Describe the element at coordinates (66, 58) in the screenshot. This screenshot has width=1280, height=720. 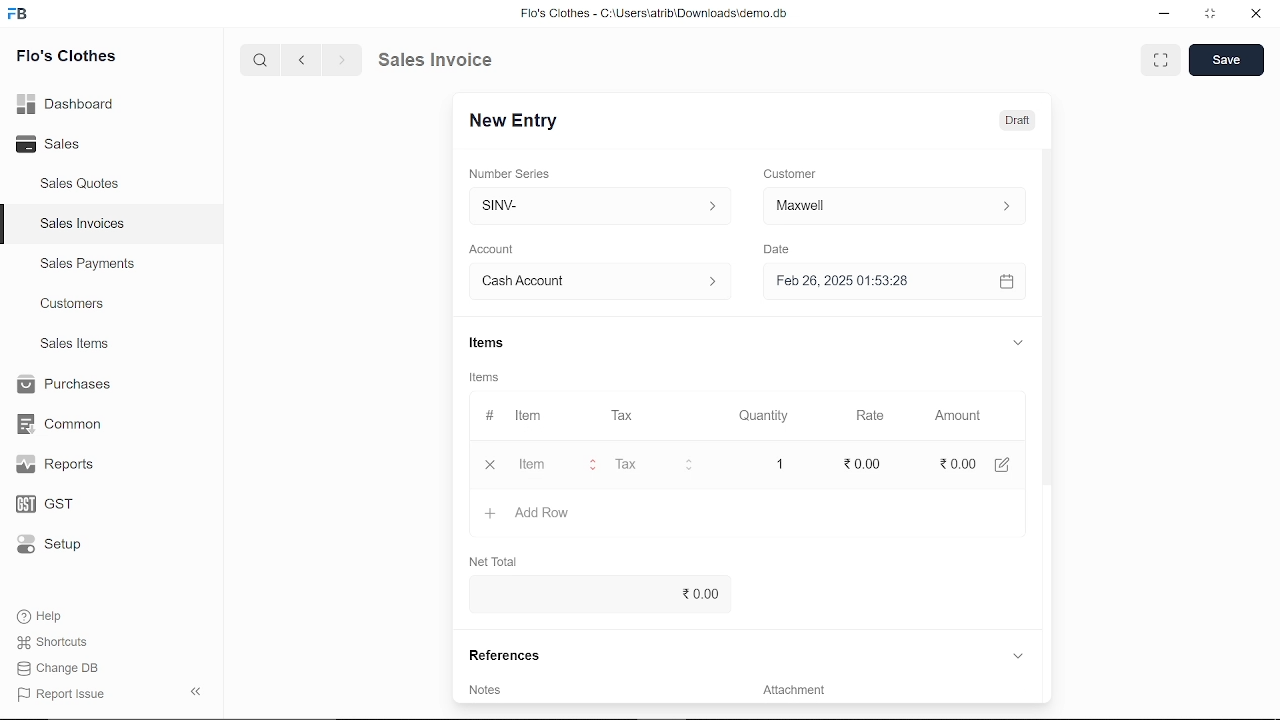
I see `Flo's Clothes` at that location.